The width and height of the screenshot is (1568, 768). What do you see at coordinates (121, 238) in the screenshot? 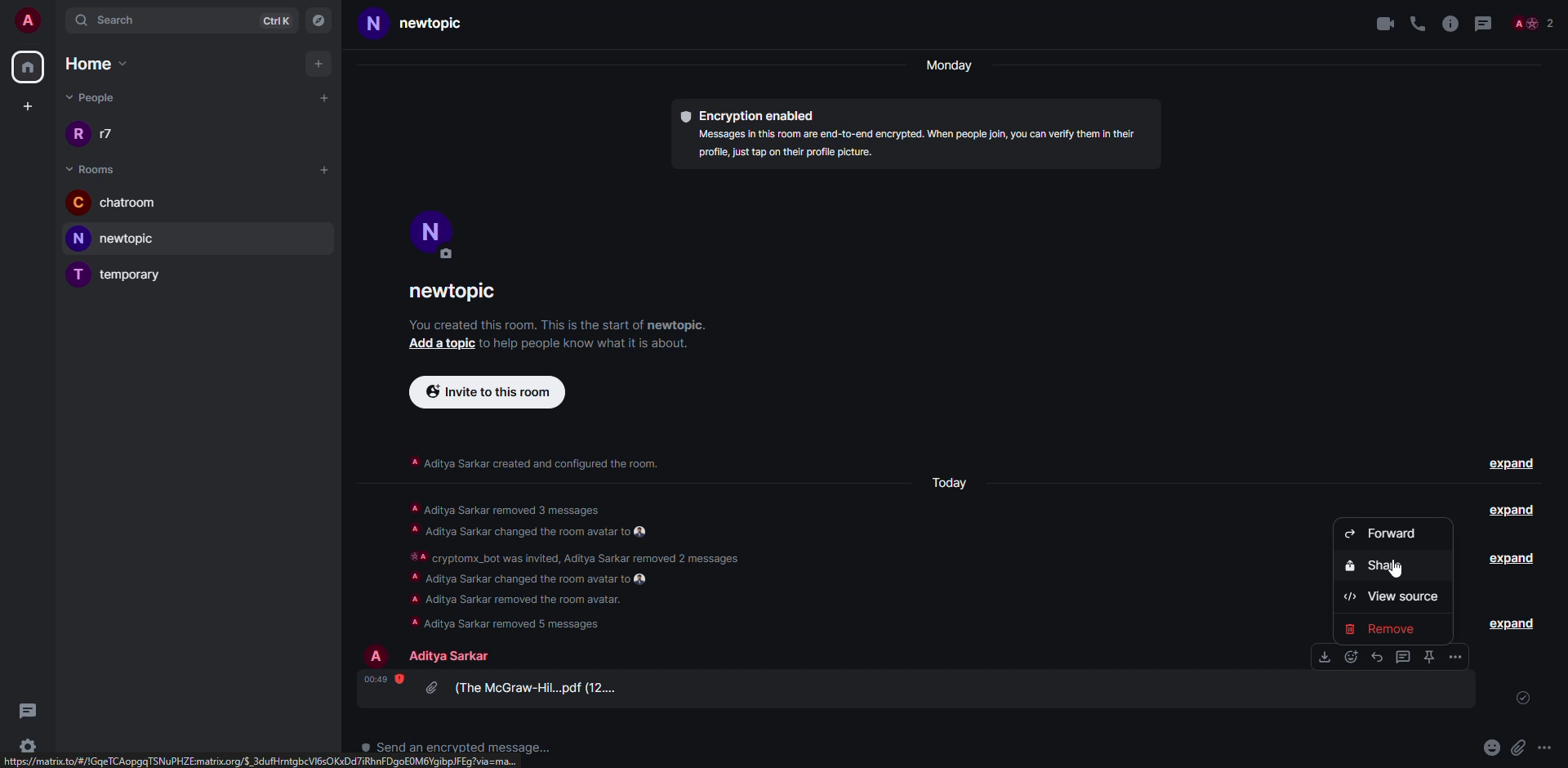
I see `new topic` at bounding box center [121, 238].